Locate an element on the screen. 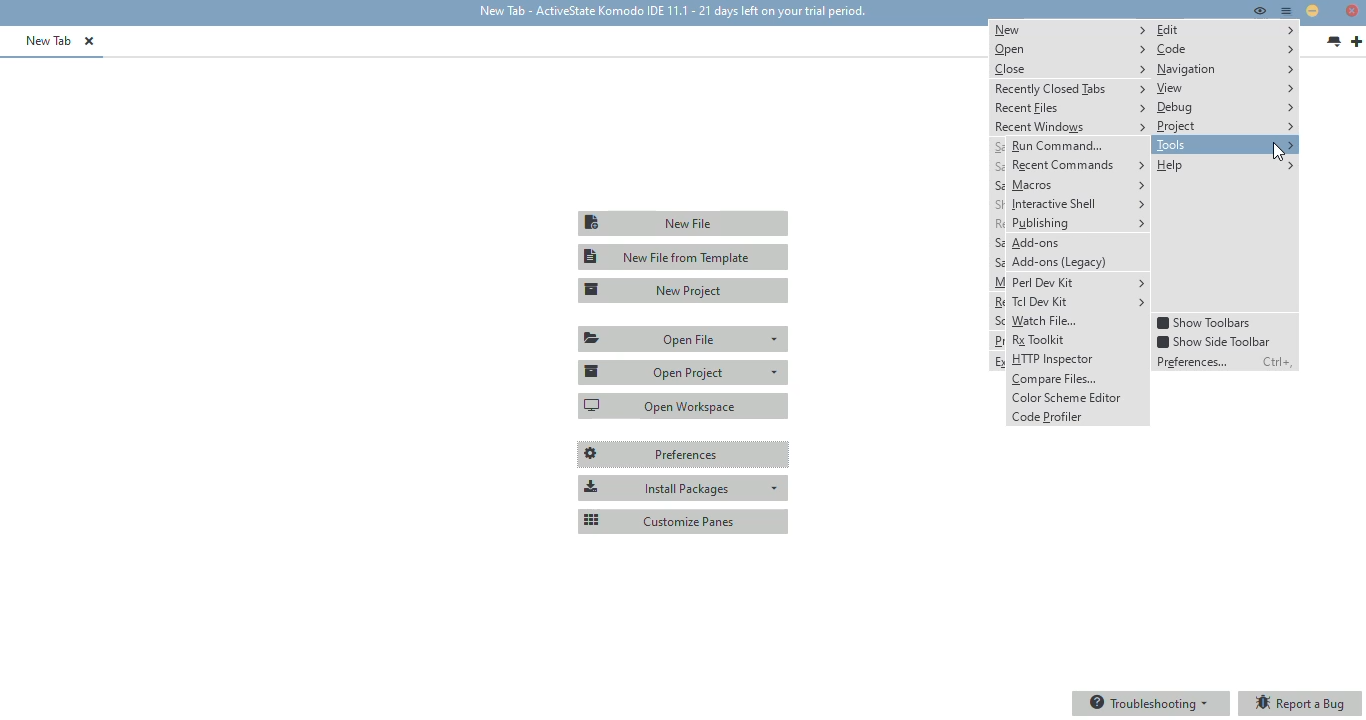 The height and width of the screenshot is (720, 1366). Add-ons (Legacy) is located at coordinates (1079, 262).